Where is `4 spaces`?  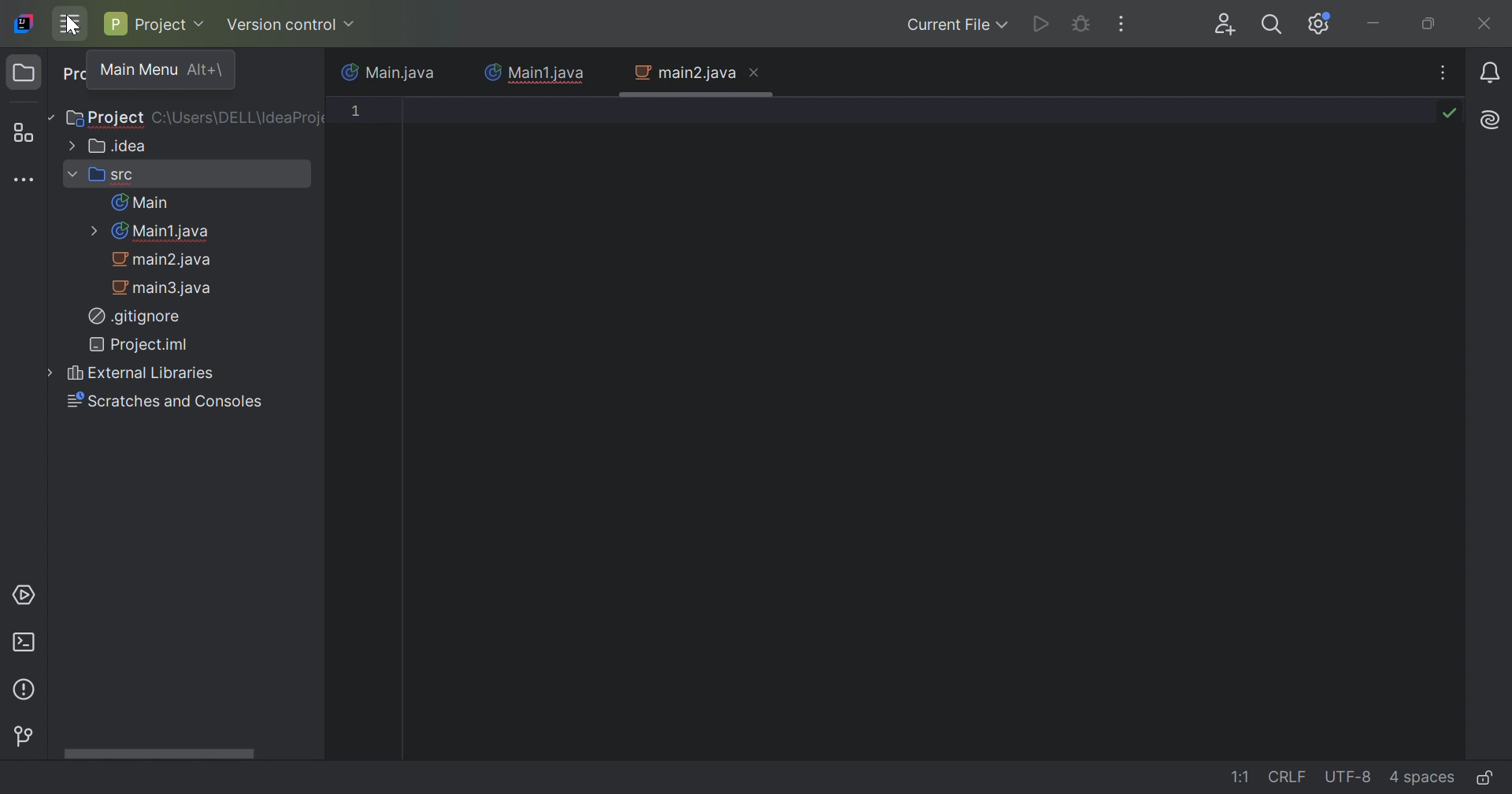
4 spaces is located at coordinates (1425, 780).